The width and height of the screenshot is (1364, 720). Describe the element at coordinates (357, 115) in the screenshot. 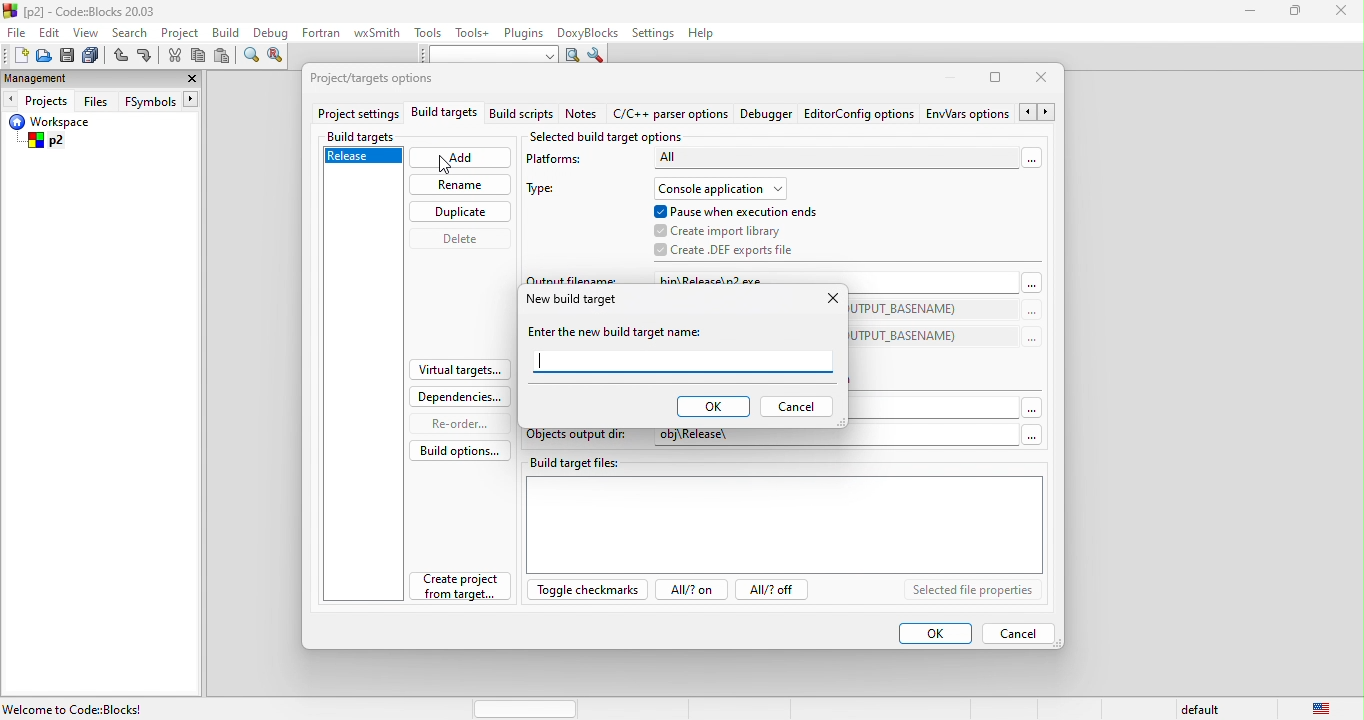

I see `project settings` at that location.